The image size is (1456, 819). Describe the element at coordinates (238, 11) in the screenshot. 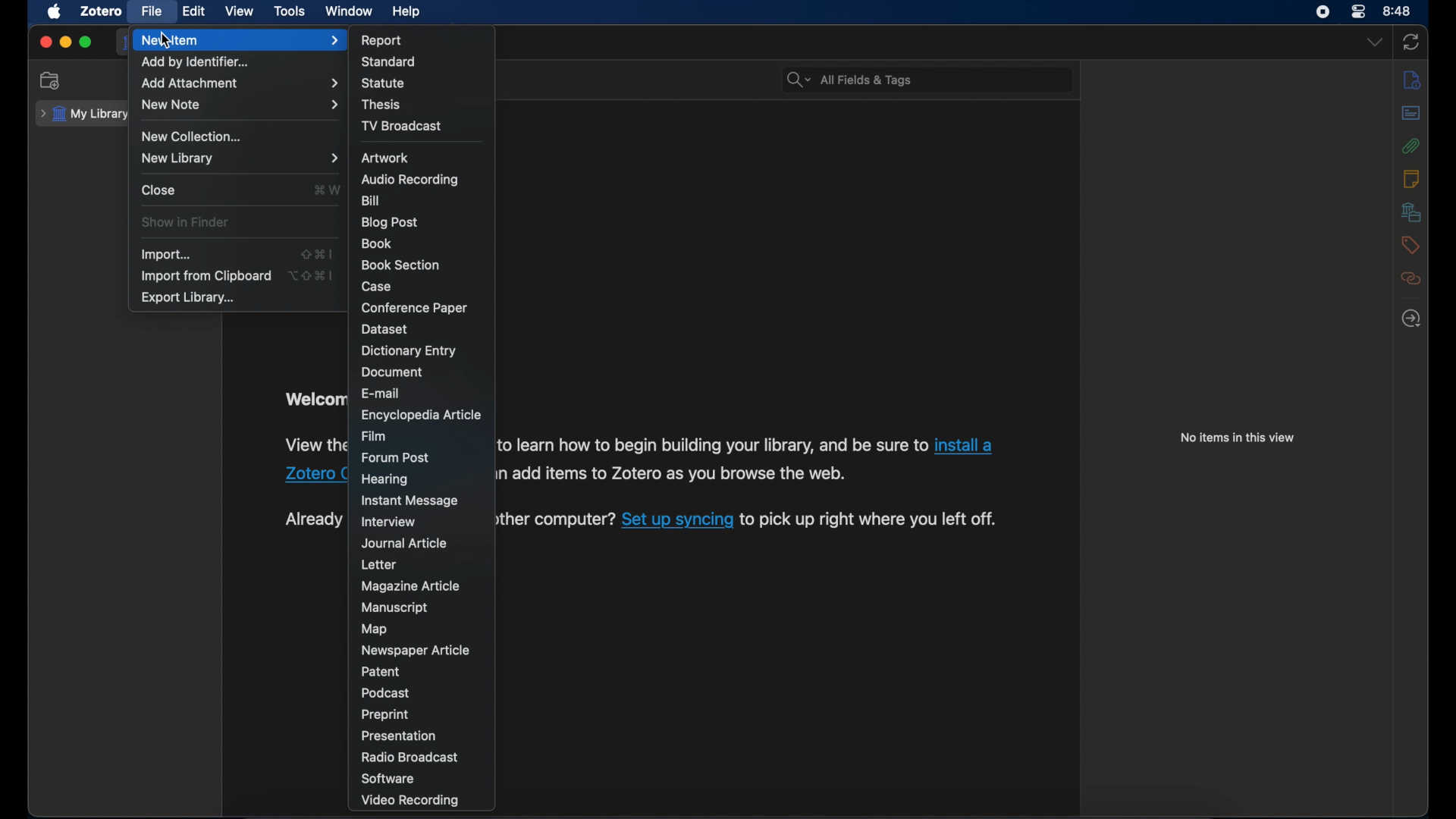

I see `view` at that location.